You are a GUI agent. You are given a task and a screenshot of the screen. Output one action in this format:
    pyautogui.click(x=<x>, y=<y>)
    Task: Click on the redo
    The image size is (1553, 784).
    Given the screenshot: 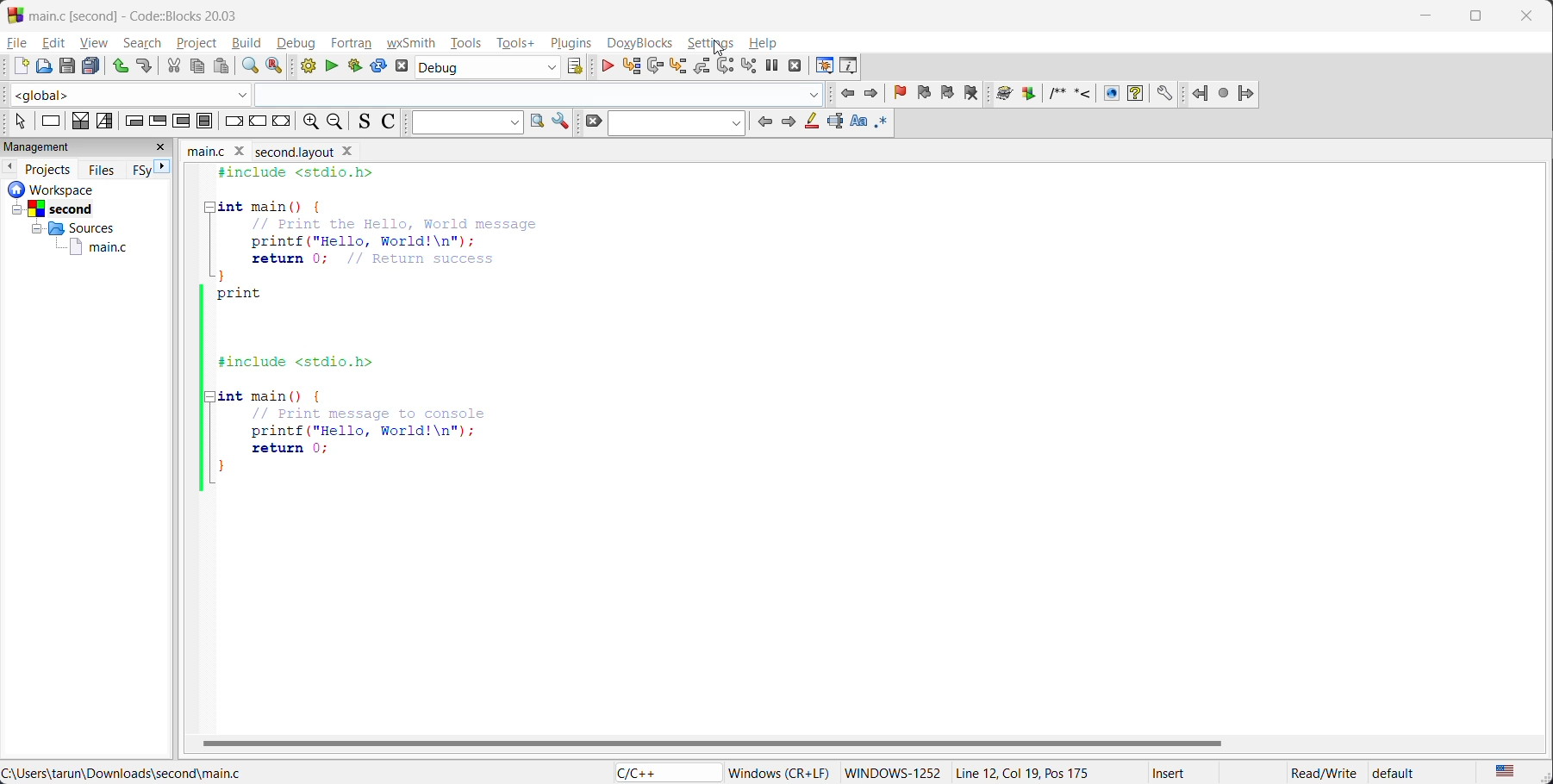 What is the action you would take?
    pyautogui.click(x=143, y=65)
    